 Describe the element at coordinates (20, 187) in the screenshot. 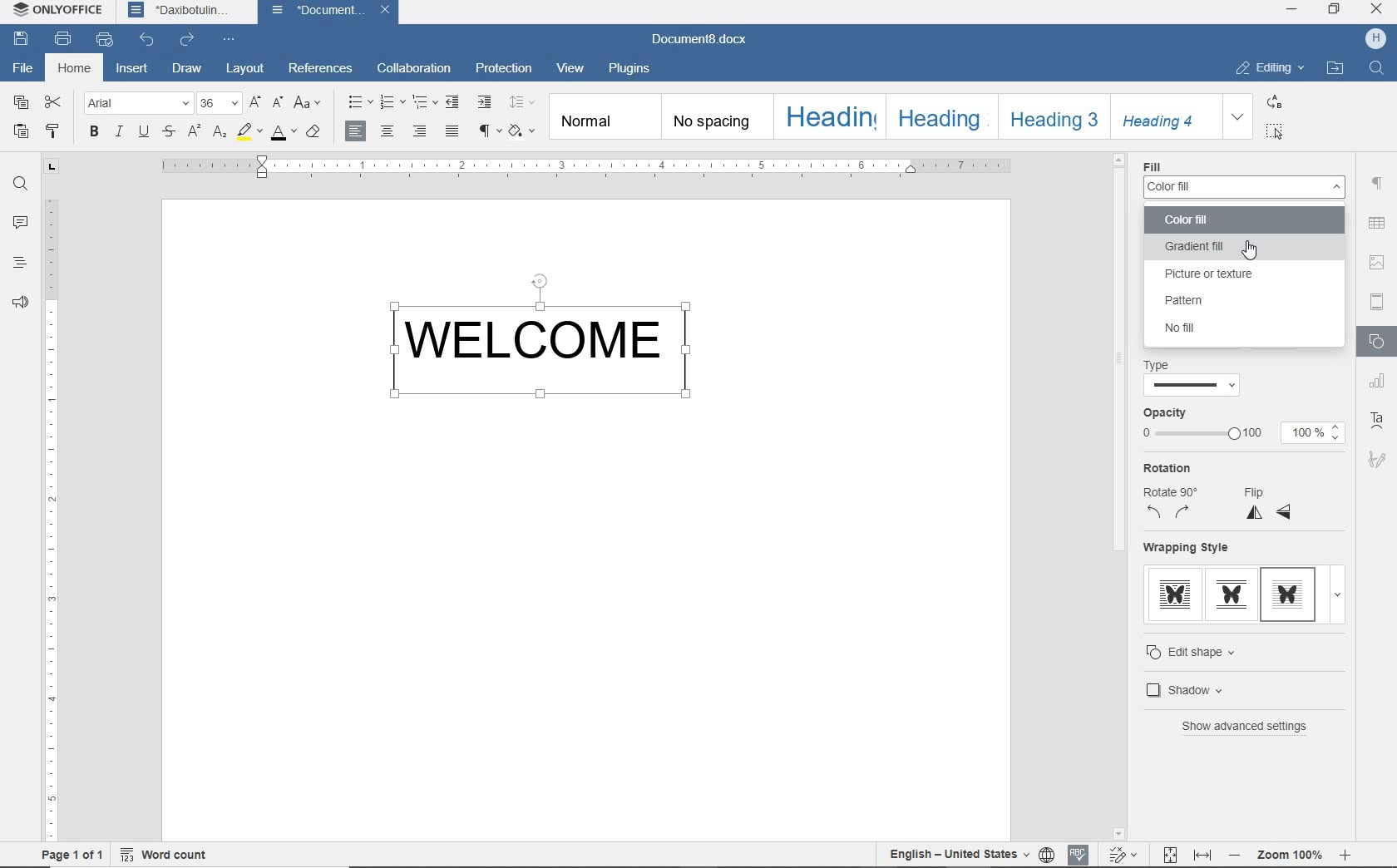

I see `FIND` at that location.